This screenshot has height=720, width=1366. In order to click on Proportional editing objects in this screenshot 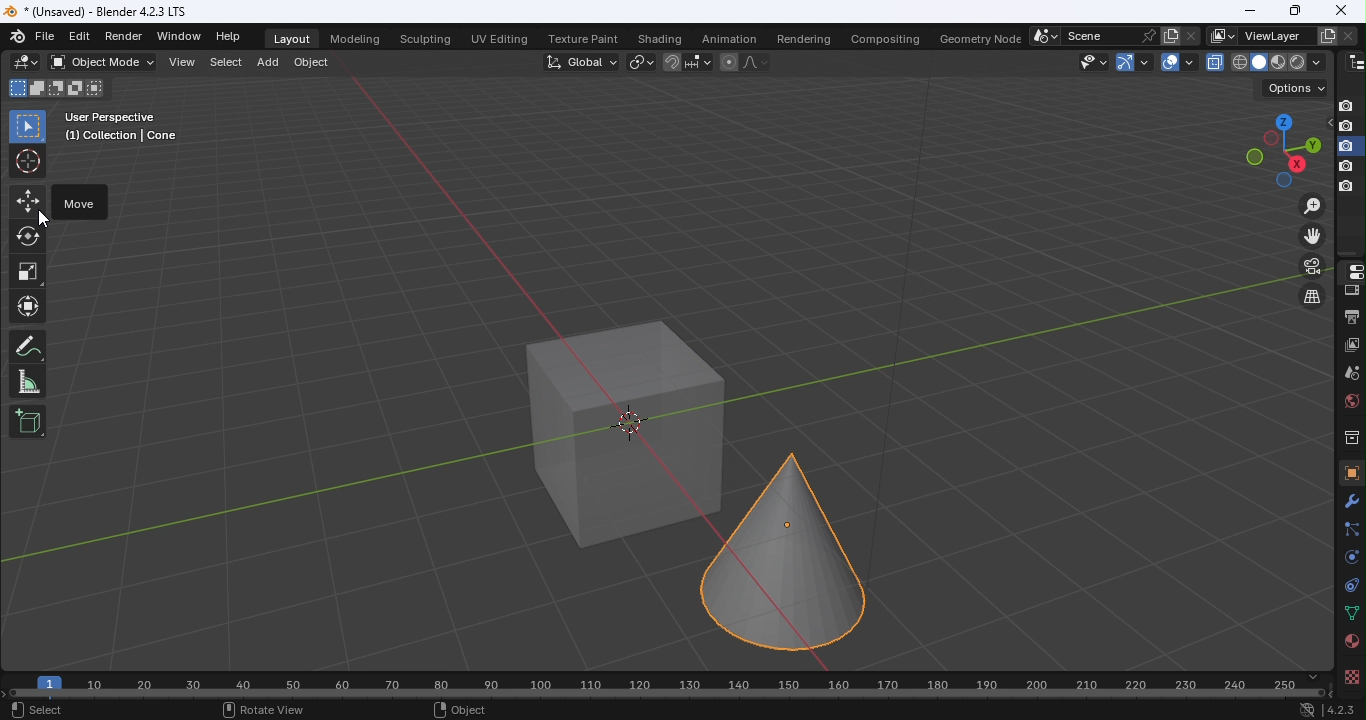, I will do `click(728, 64)`.